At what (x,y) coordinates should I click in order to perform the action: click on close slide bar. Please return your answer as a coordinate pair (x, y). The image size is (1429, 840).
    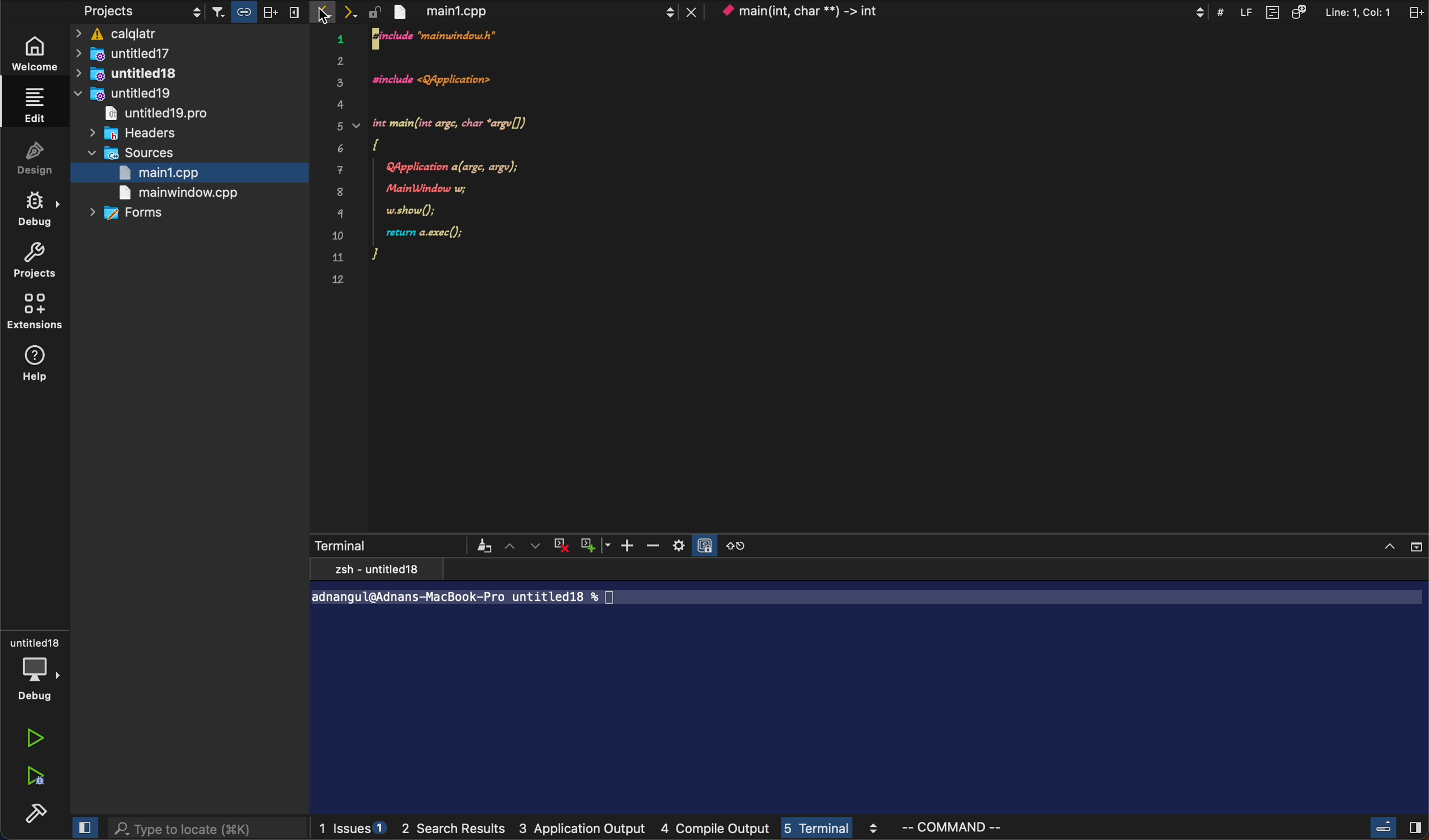
    Looking at the image, I should click on (1392, 828).